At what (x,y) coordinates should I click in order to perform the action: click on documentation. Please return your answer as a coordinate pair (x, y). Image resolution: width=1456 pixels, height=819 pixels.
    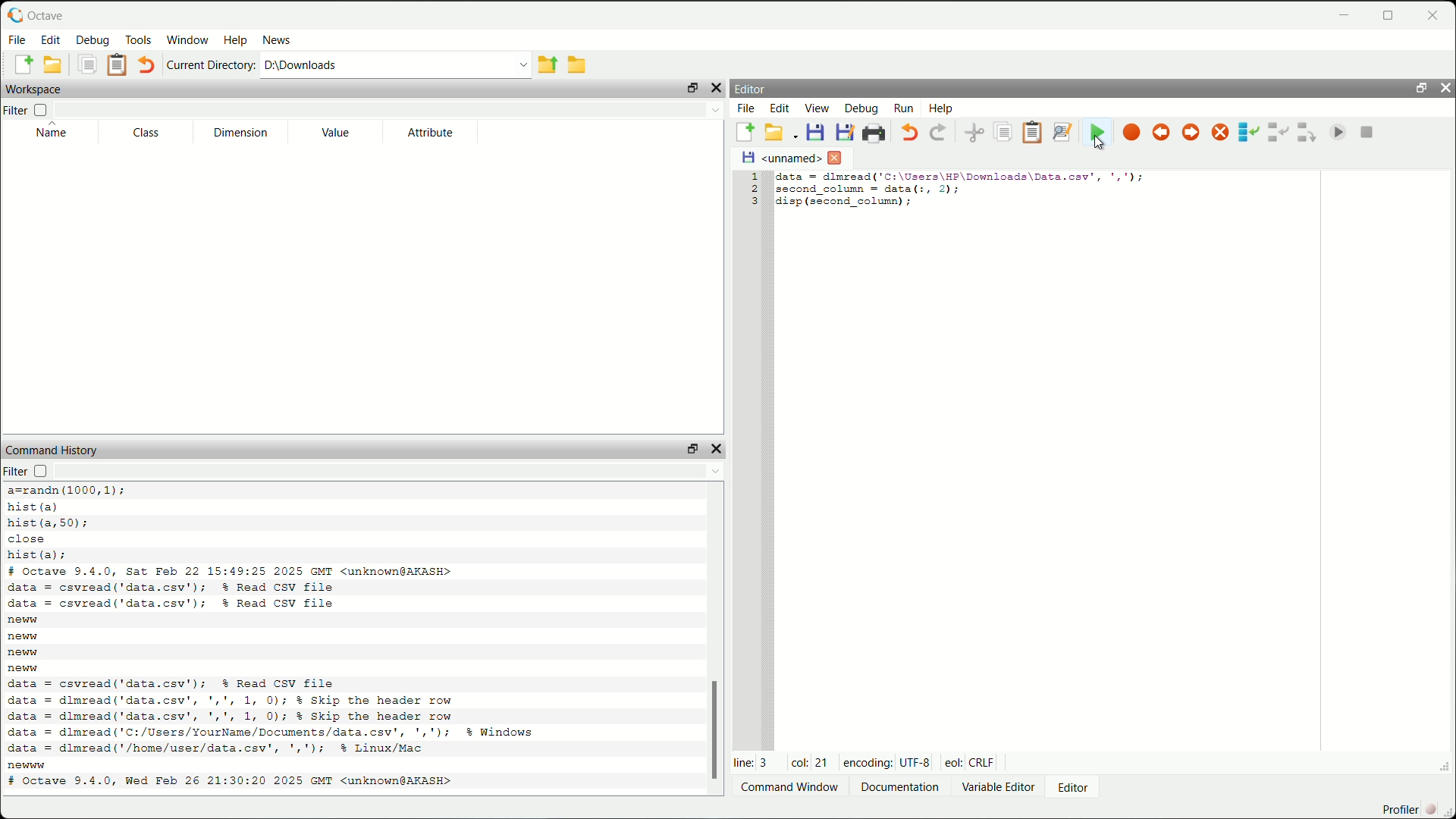
    Looking at the image, I should click on (901, 786).